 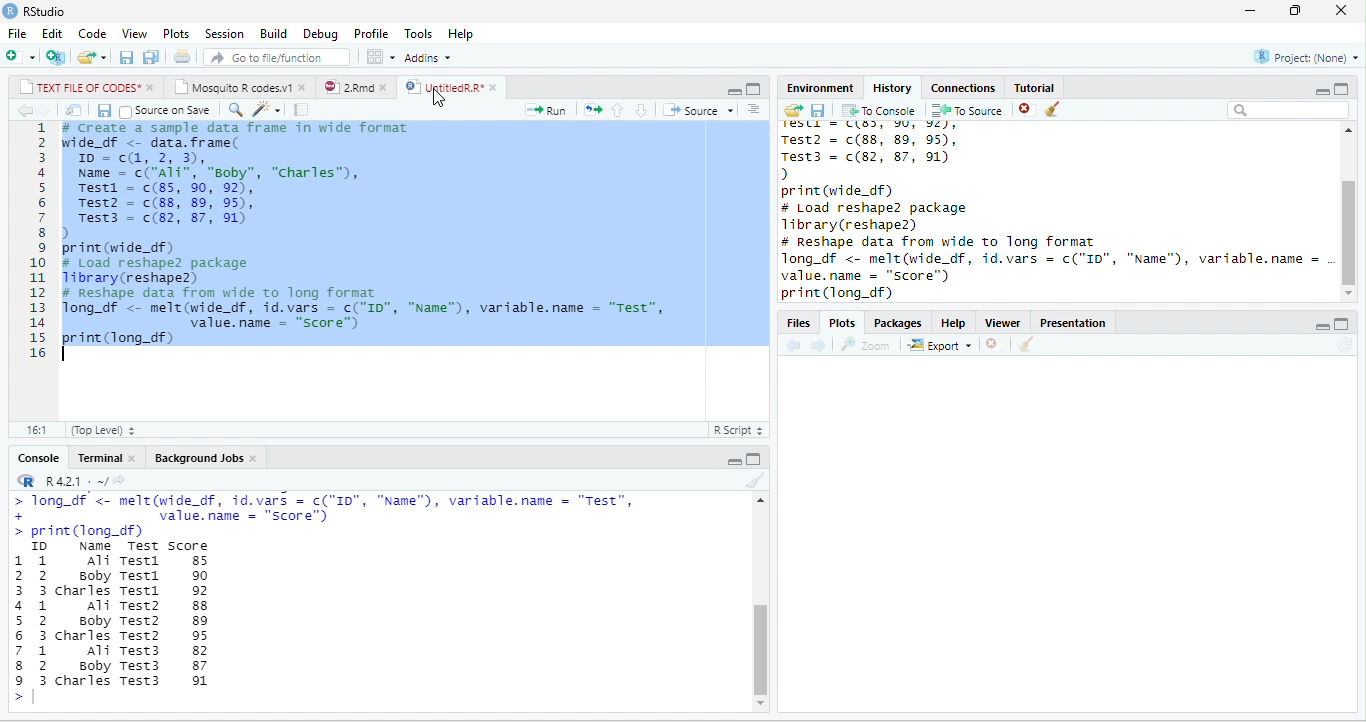 I want to click on # Reshape data from wide to long format

Tong_df <- melt(wide_df, id.vars = c("ID", "Name"), variable.name = "Test",
value.name = “score”)

print(long_df), so click(x=376, y=316).